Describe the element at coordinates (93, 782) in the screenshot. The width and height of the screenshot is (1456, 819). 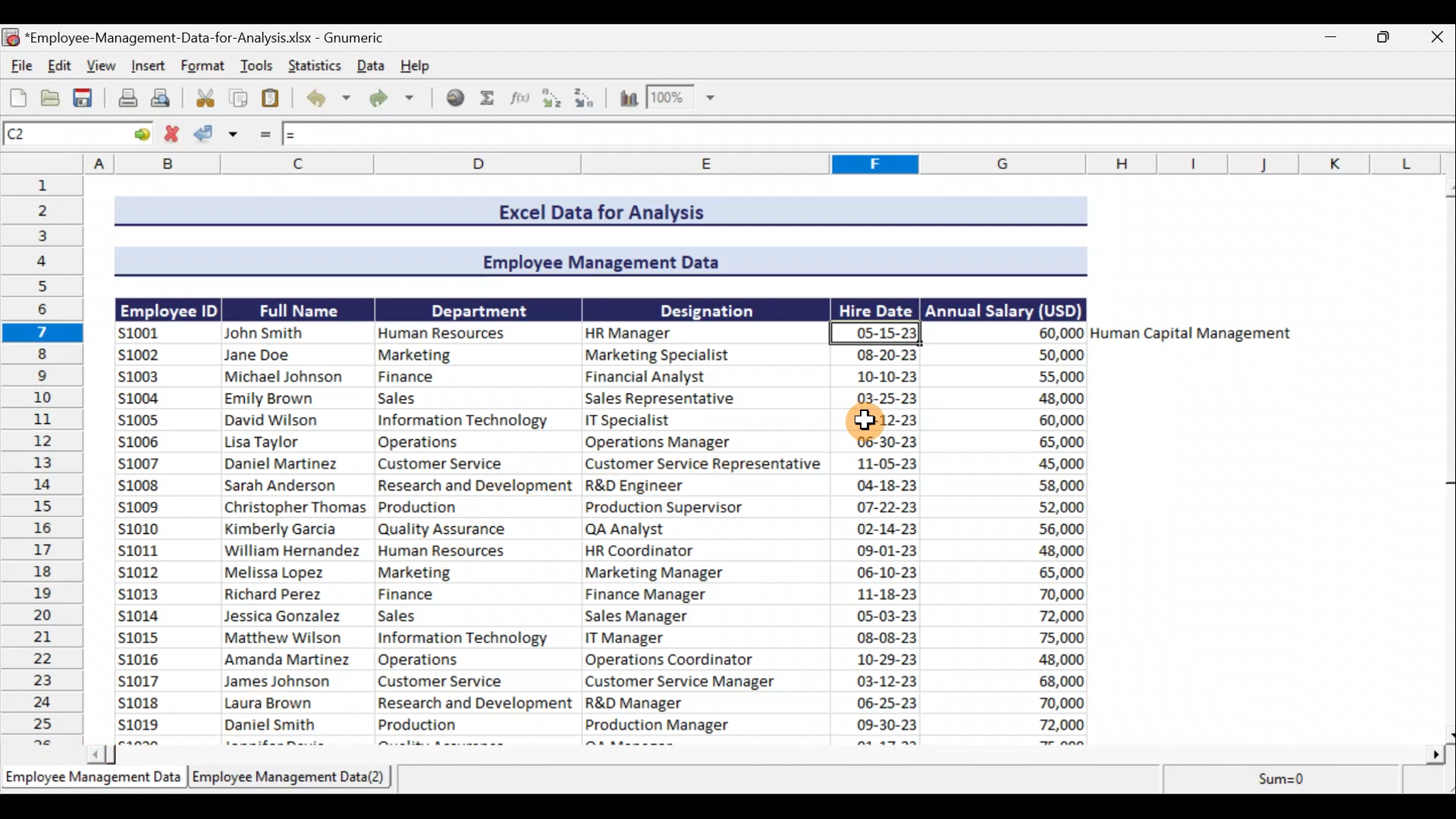
I see `Sheet 1` at that location.